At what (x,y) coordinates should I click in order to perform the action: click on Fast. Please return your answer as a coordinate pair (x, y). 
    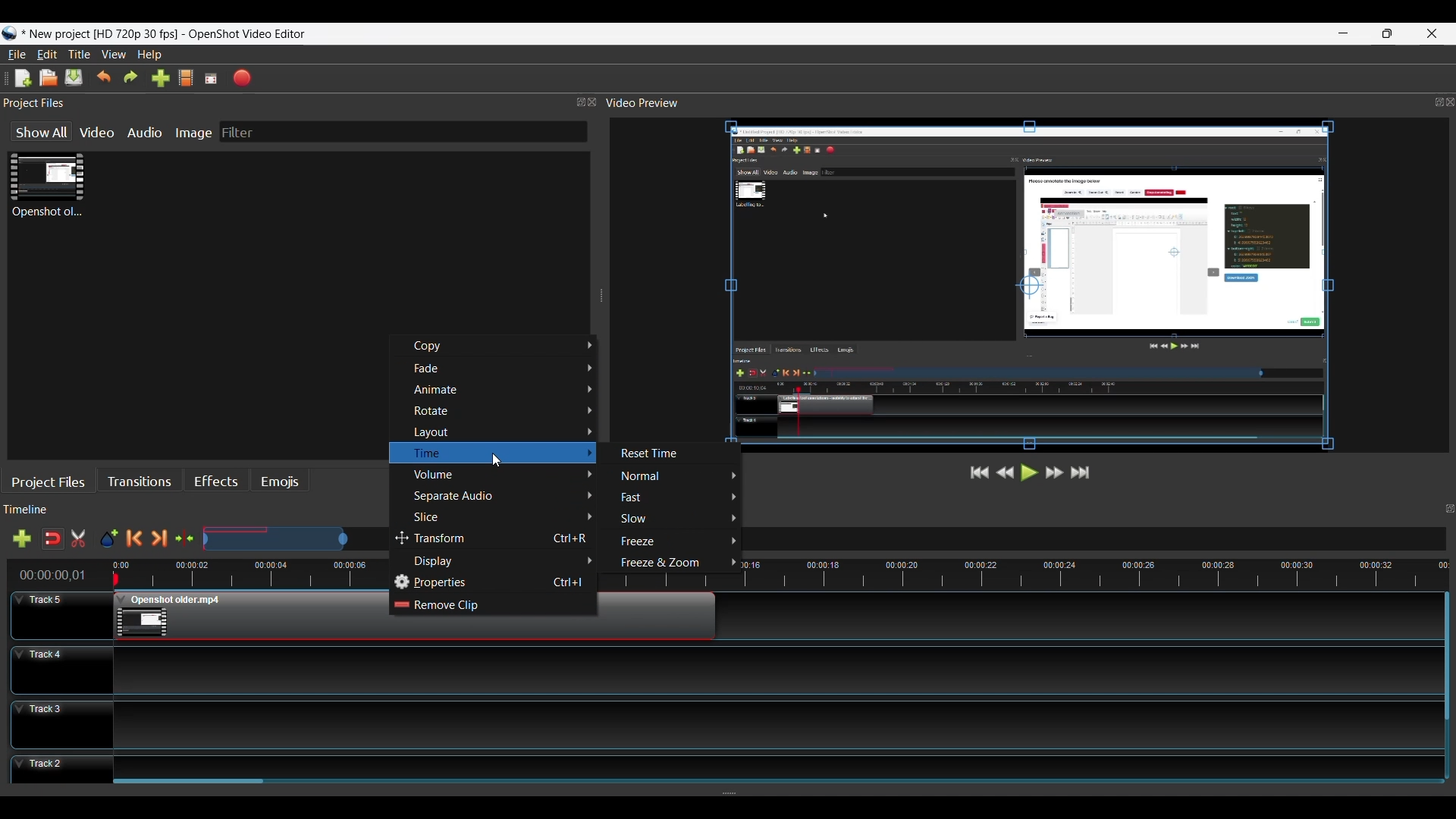
    Looking at the image, I should click on (676, 497).